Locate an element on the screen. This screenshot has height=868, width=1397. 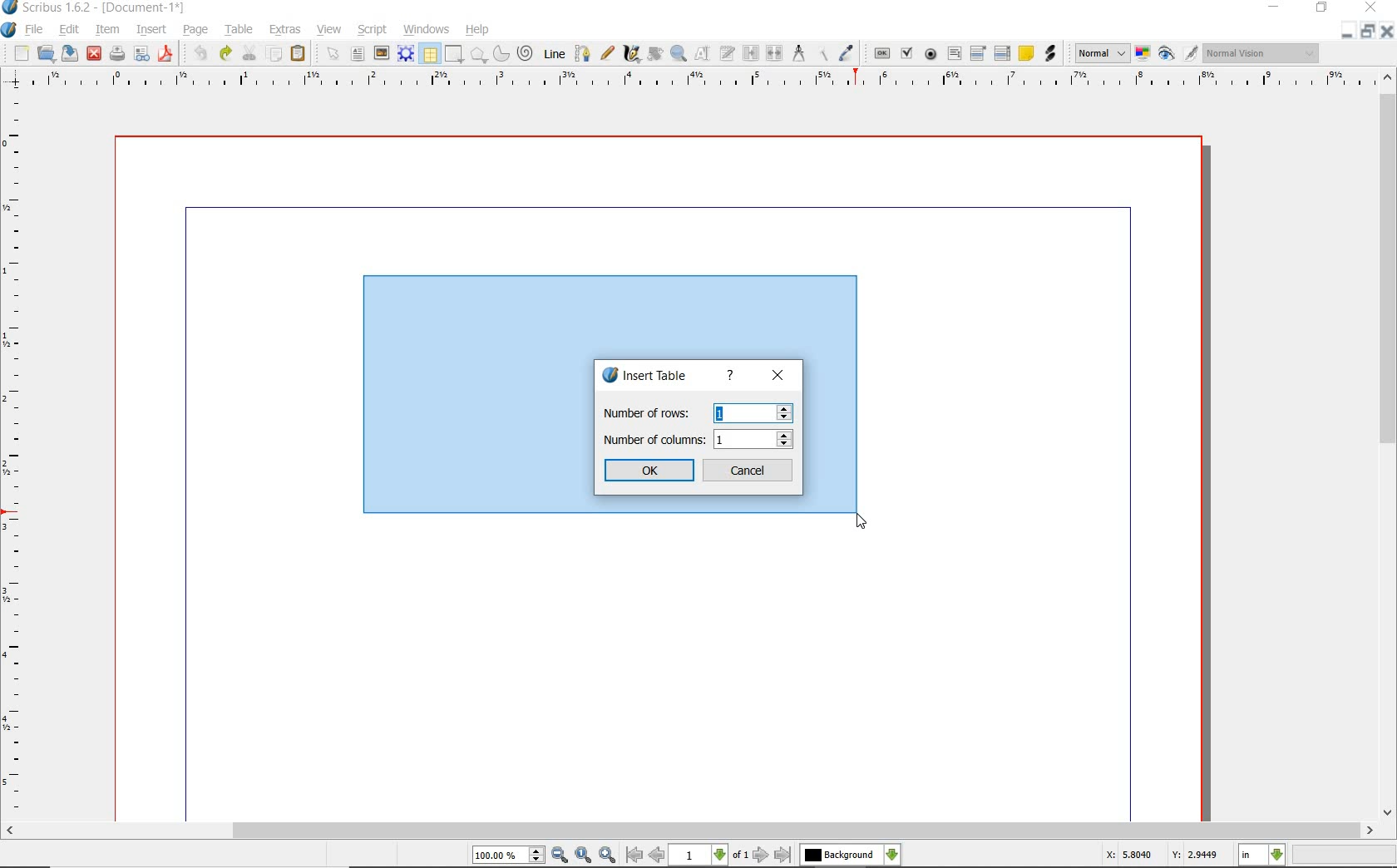
link text frames is located at coordinates (752, 53).